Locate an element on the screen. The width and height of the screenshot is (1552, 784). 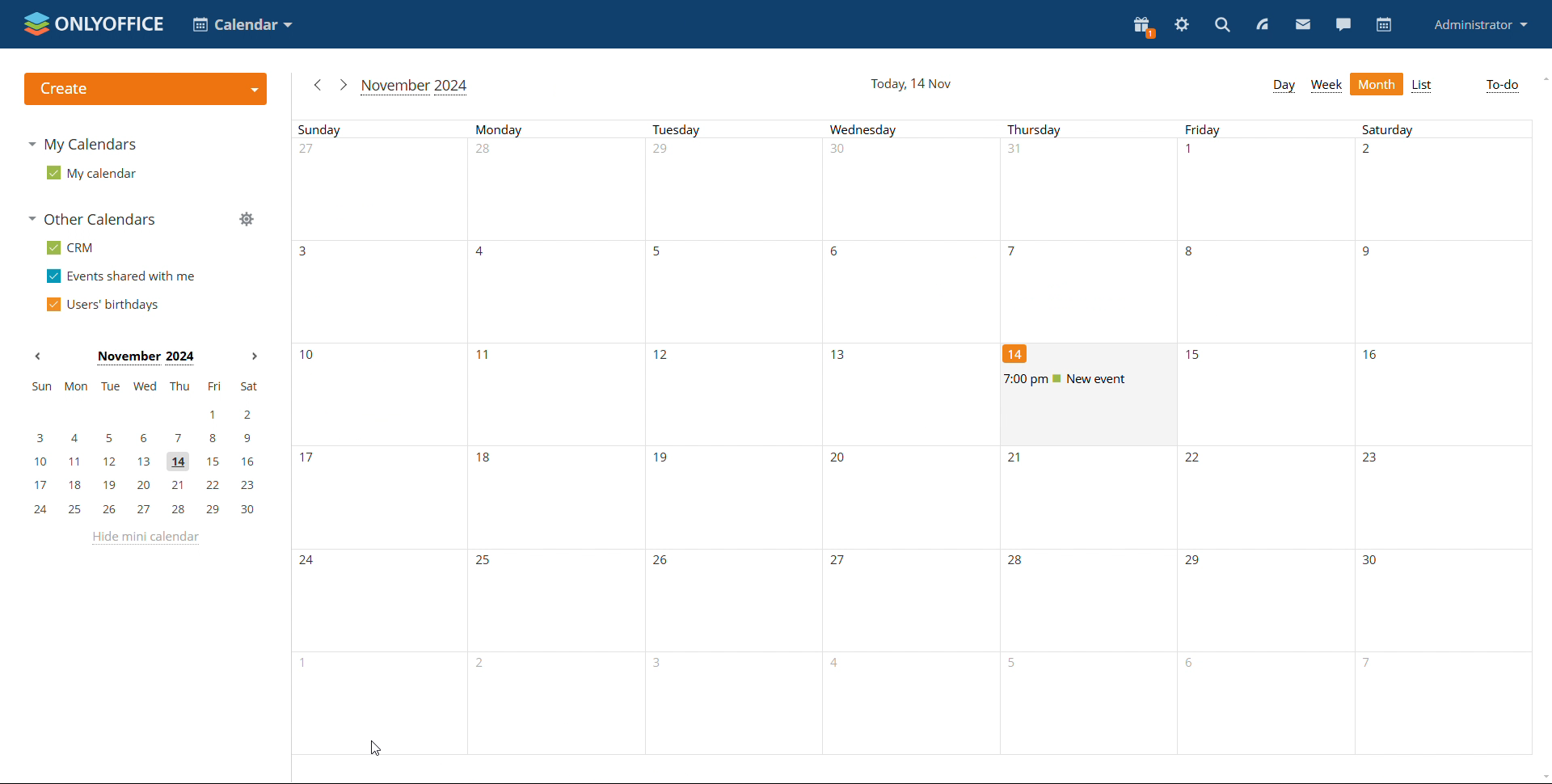
cursor is located at coordinates (376, 748).